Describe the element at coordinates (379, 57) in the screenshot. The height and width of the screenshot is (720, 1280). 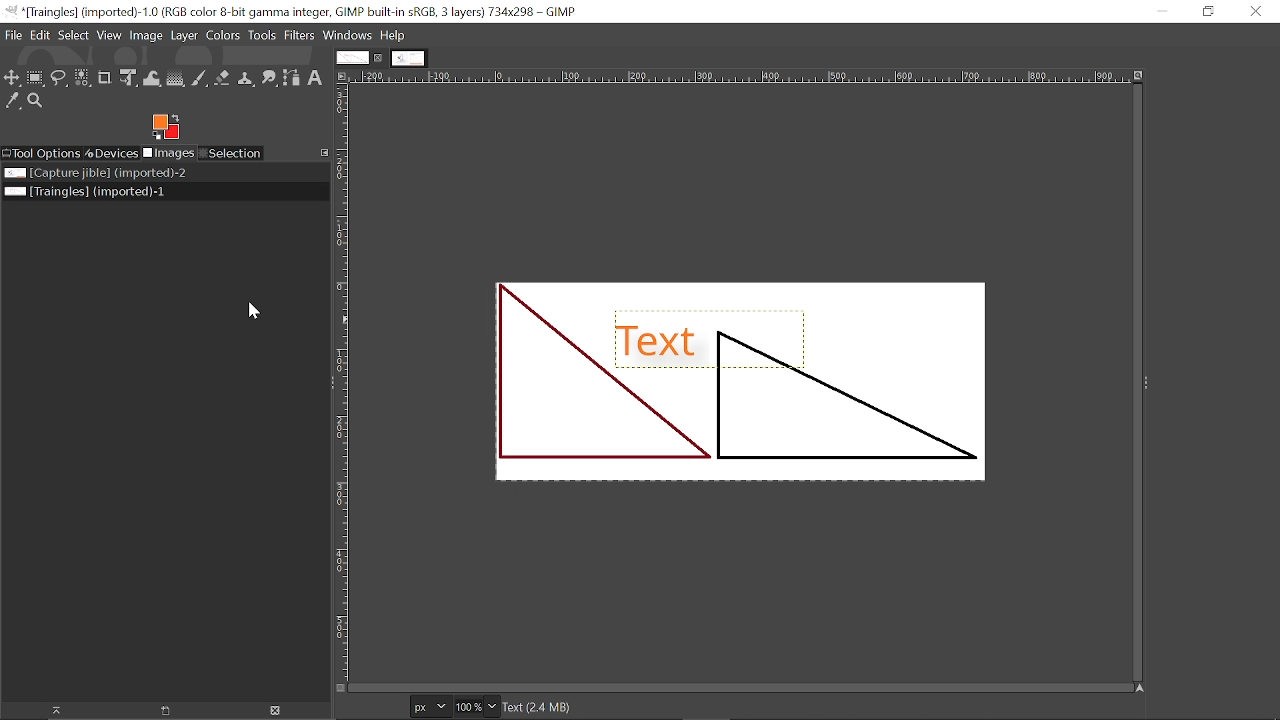
I see `Close current tab` at that location.